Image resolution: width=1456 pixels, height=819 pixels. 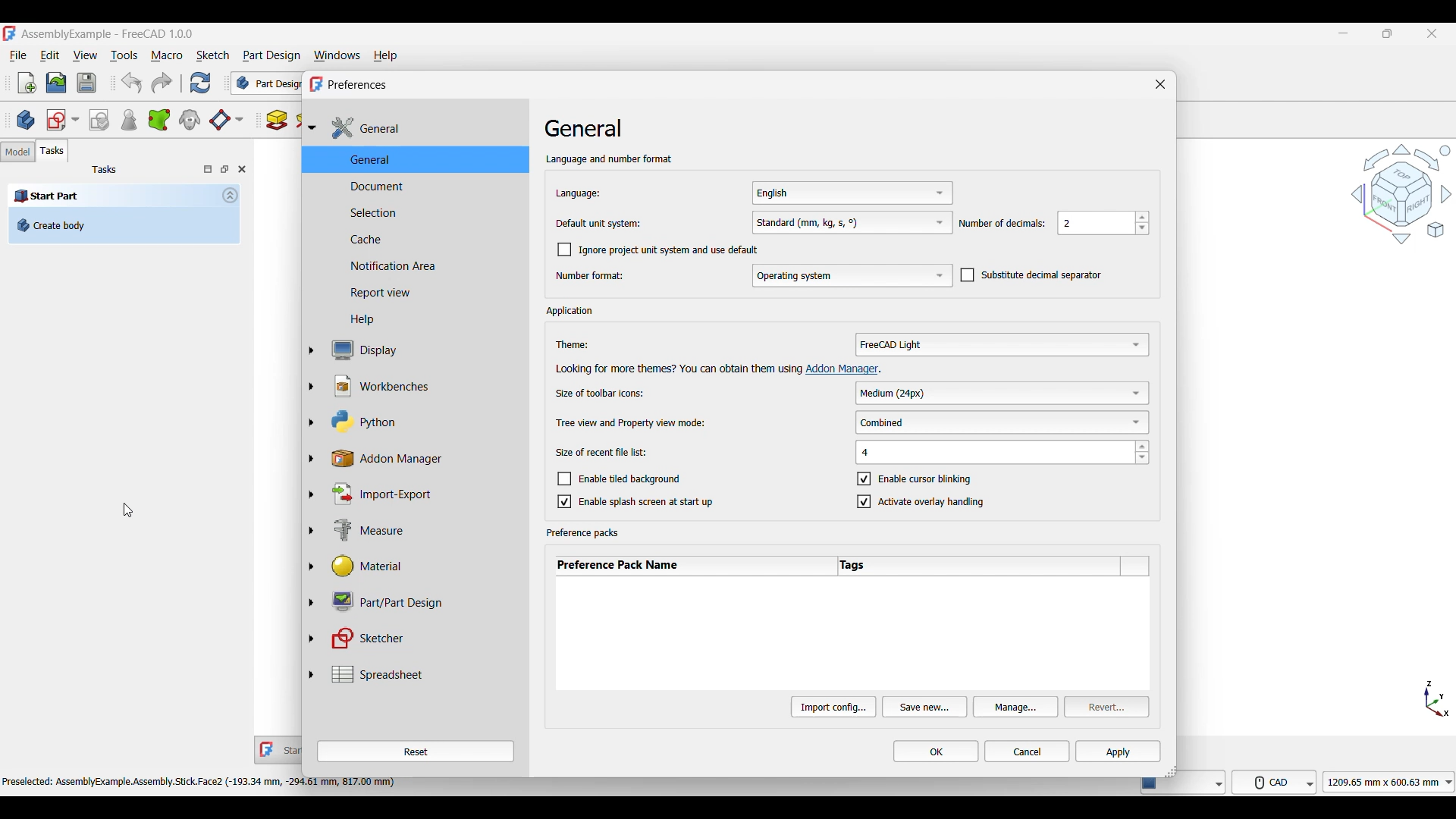 I want to click on 2 - Decimal settings, so click(x=1104, y=223).